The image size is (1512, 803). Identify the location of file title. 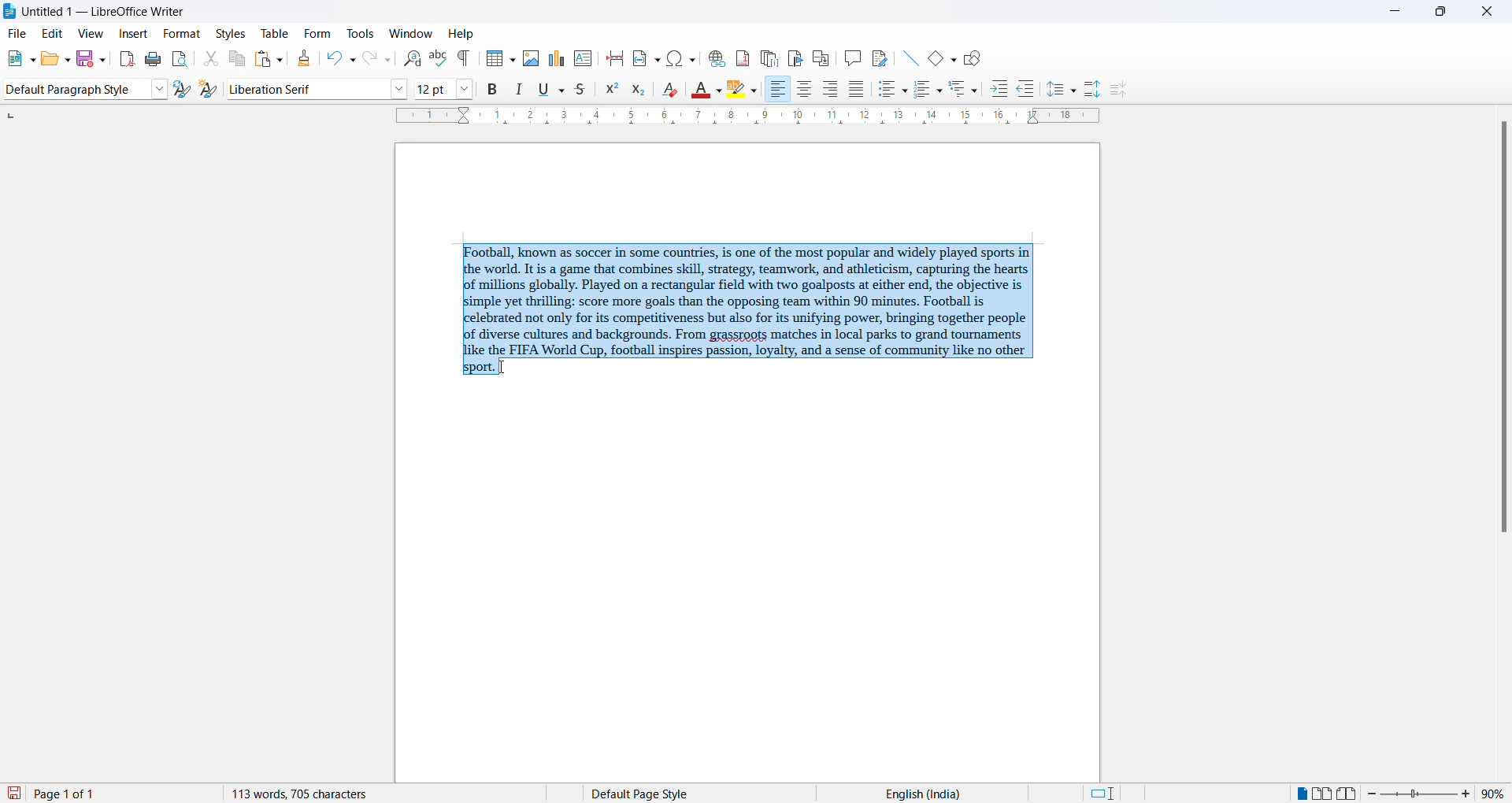
(102, 12).